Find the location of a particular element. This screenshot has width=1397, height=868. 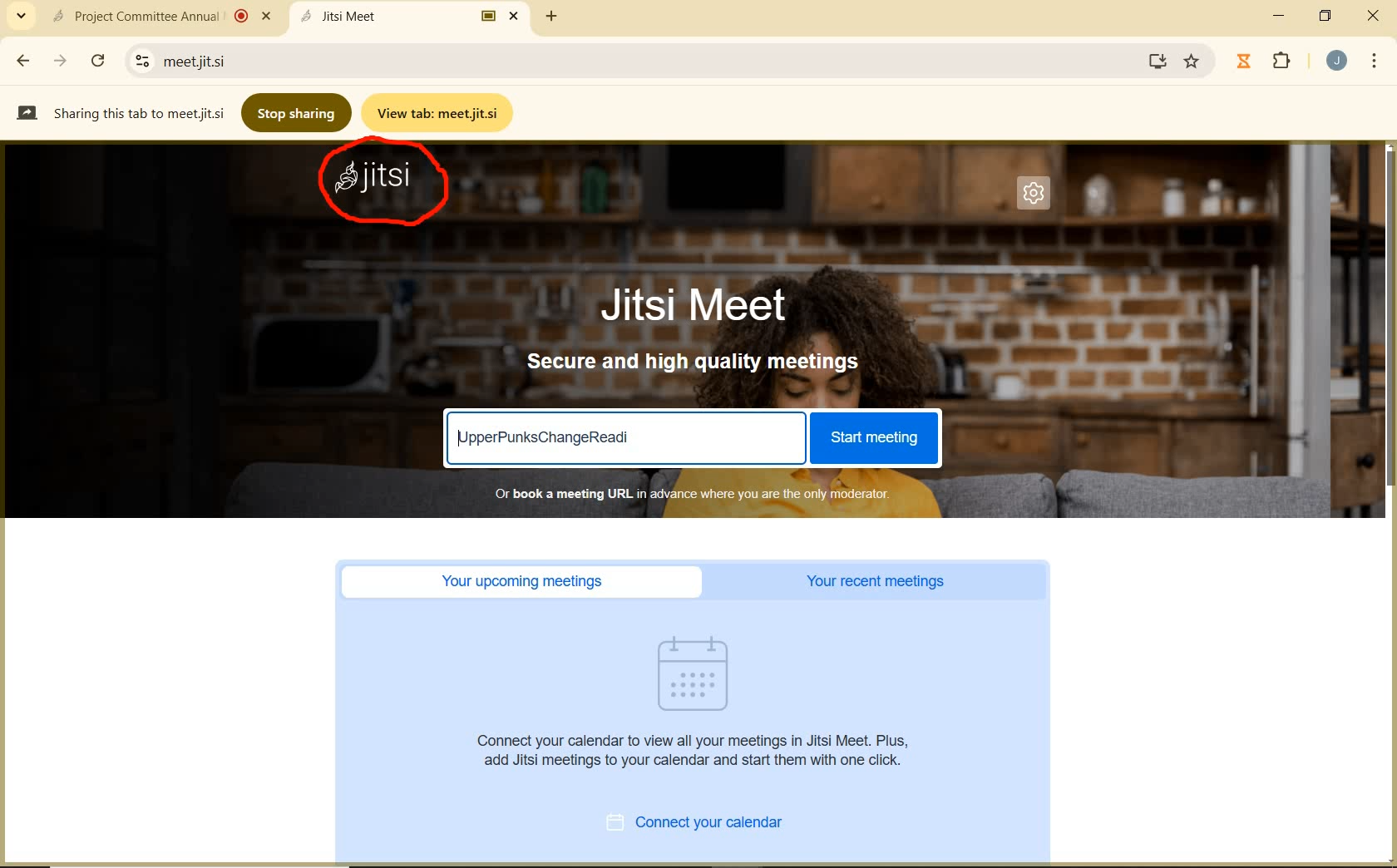

close is located at coordinates (1372, 17).